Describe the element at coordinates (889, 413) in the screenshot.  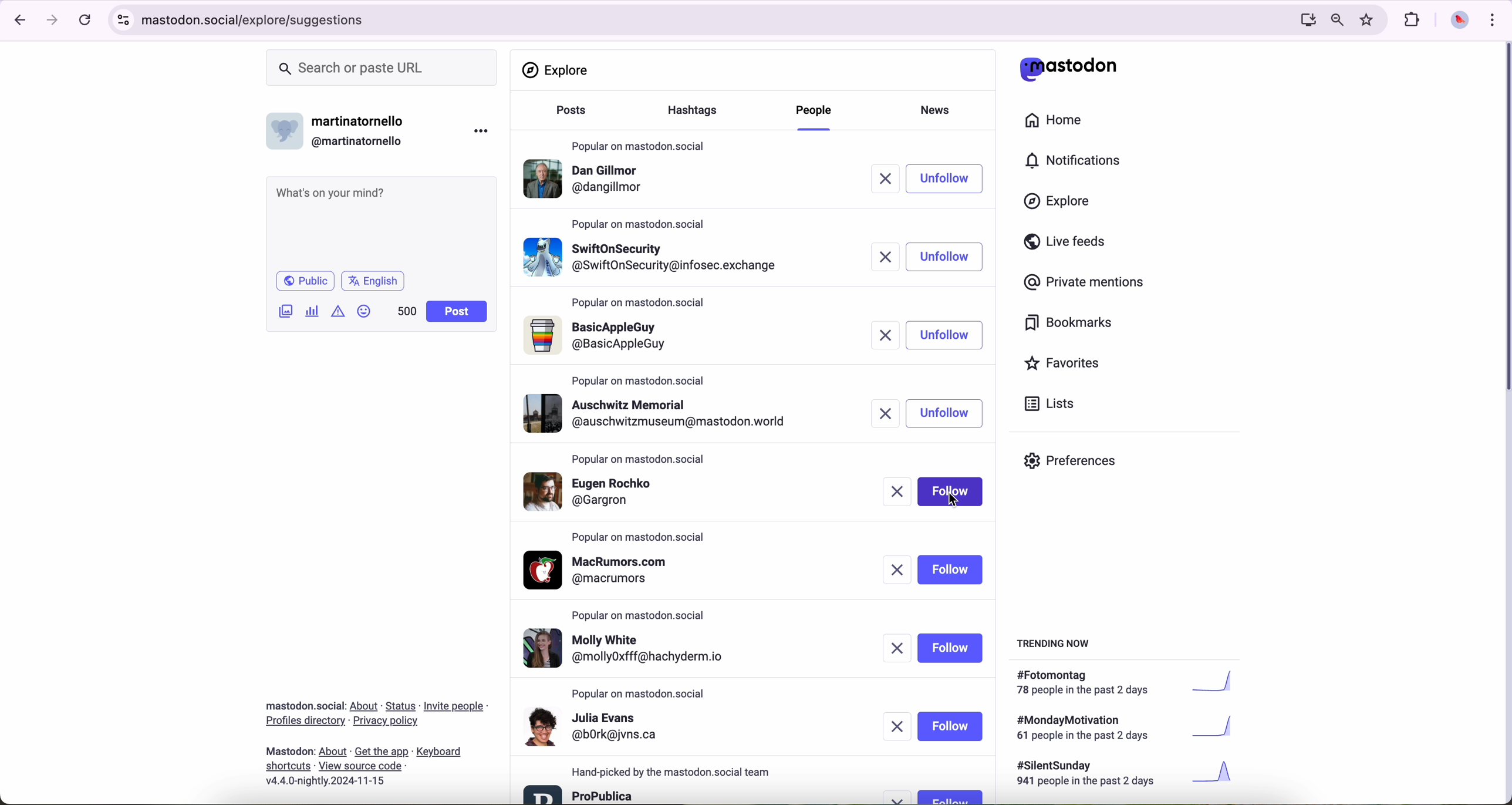
I see `remove` at that location.